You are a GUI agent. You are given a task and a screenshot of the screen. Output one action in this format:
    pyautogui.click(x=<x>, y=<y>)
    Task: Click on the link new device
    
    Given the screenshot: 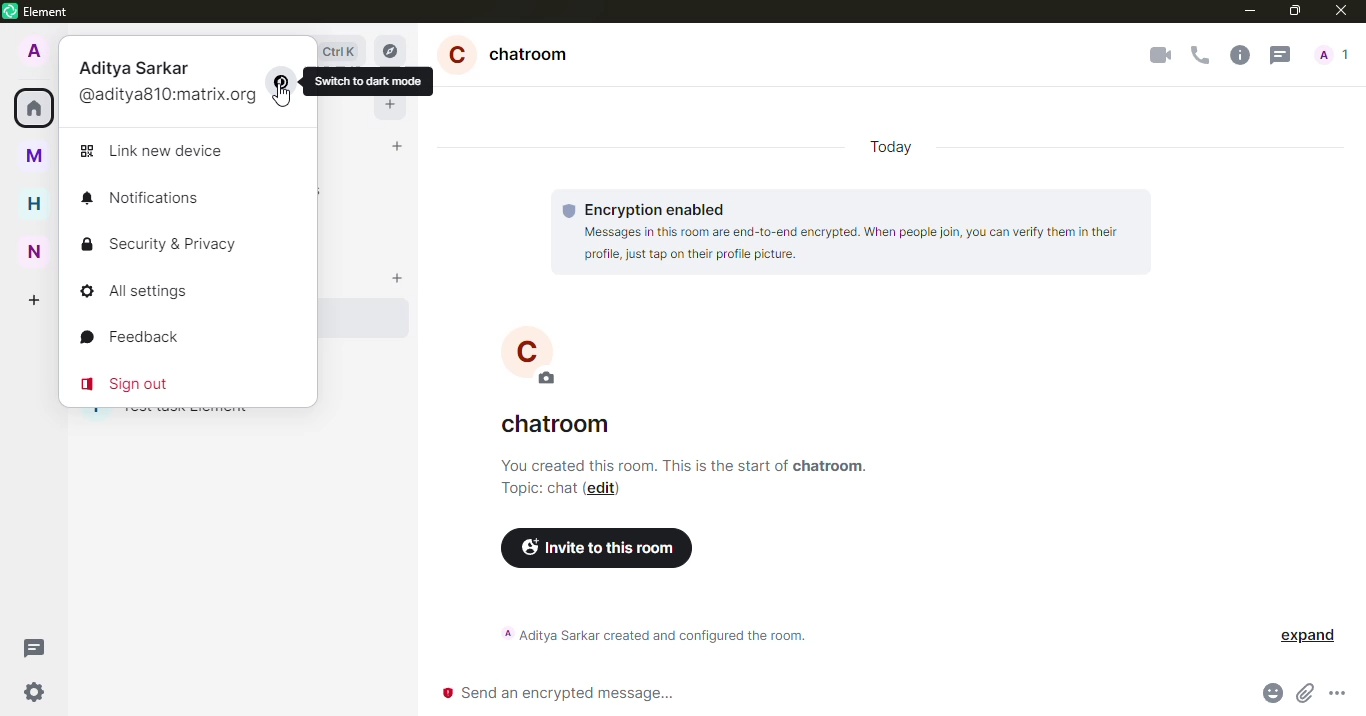 What is the action you would take?
    pyautogui.click(x=156, y=151)
    